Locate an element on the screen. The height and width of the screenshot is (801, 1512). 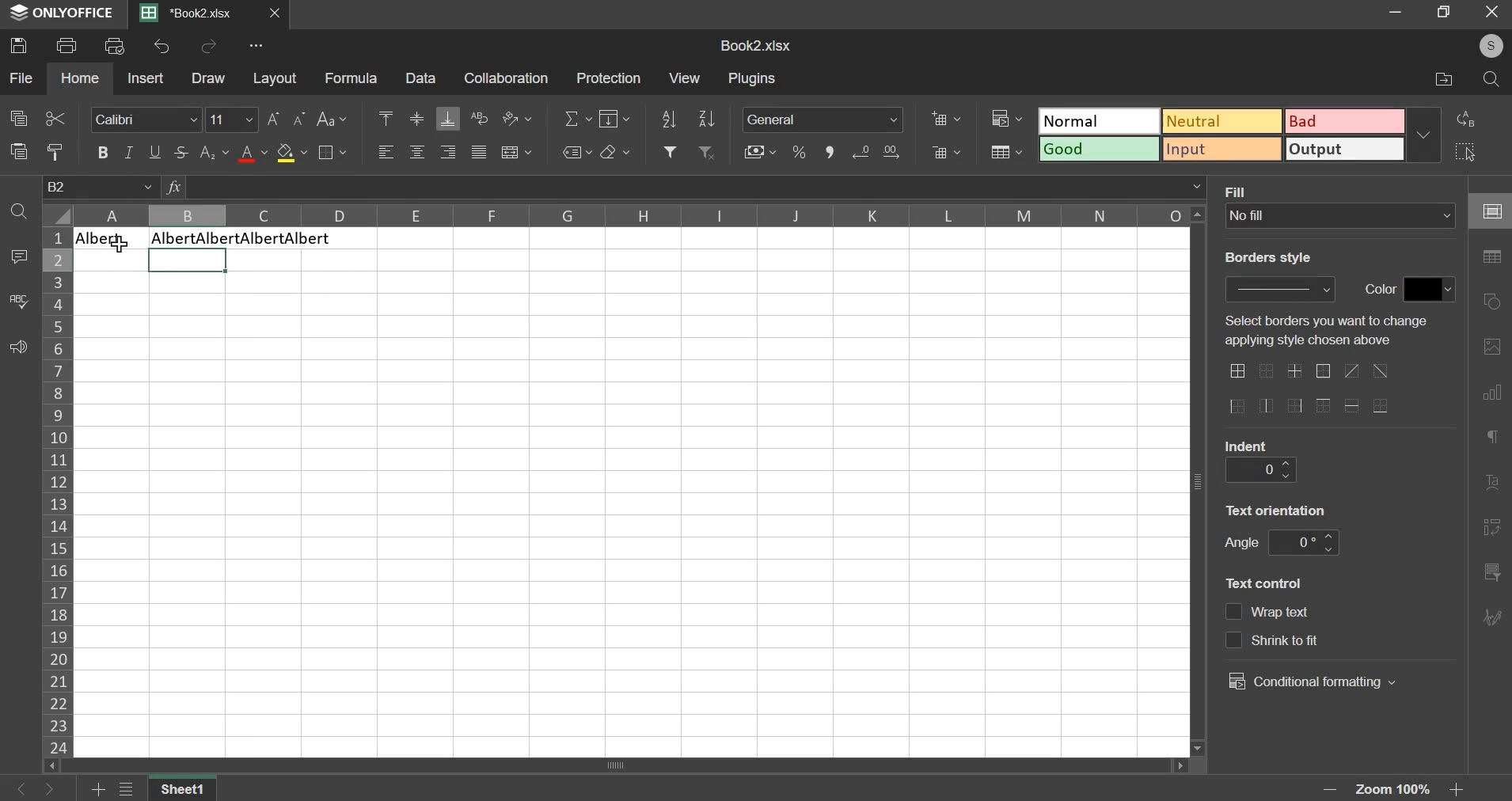
file menu is located at coordinates (127, 789).